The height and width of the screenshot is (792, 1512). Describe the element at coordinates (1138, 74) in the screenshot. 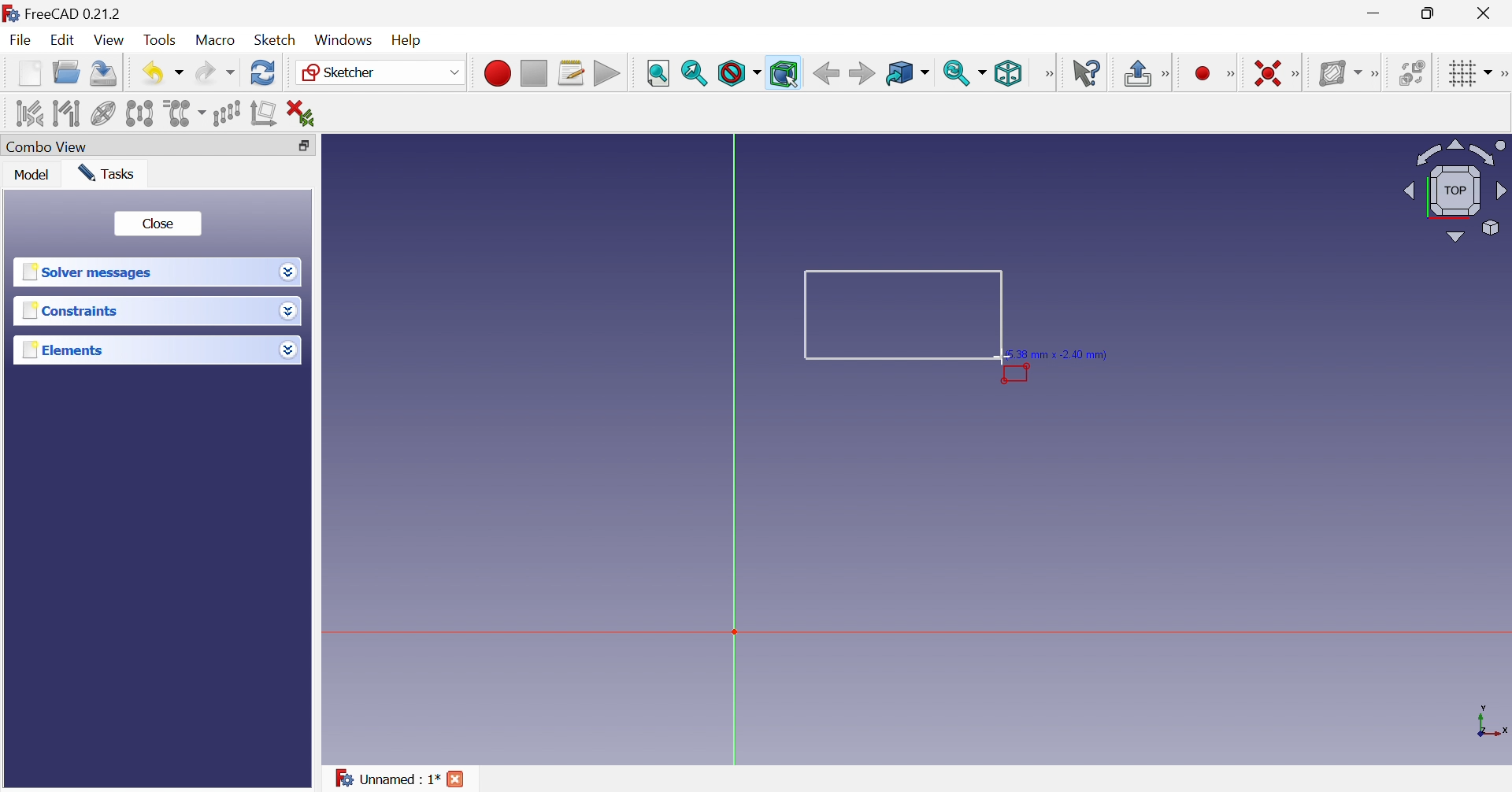

I see `Leave sketch` at that location.